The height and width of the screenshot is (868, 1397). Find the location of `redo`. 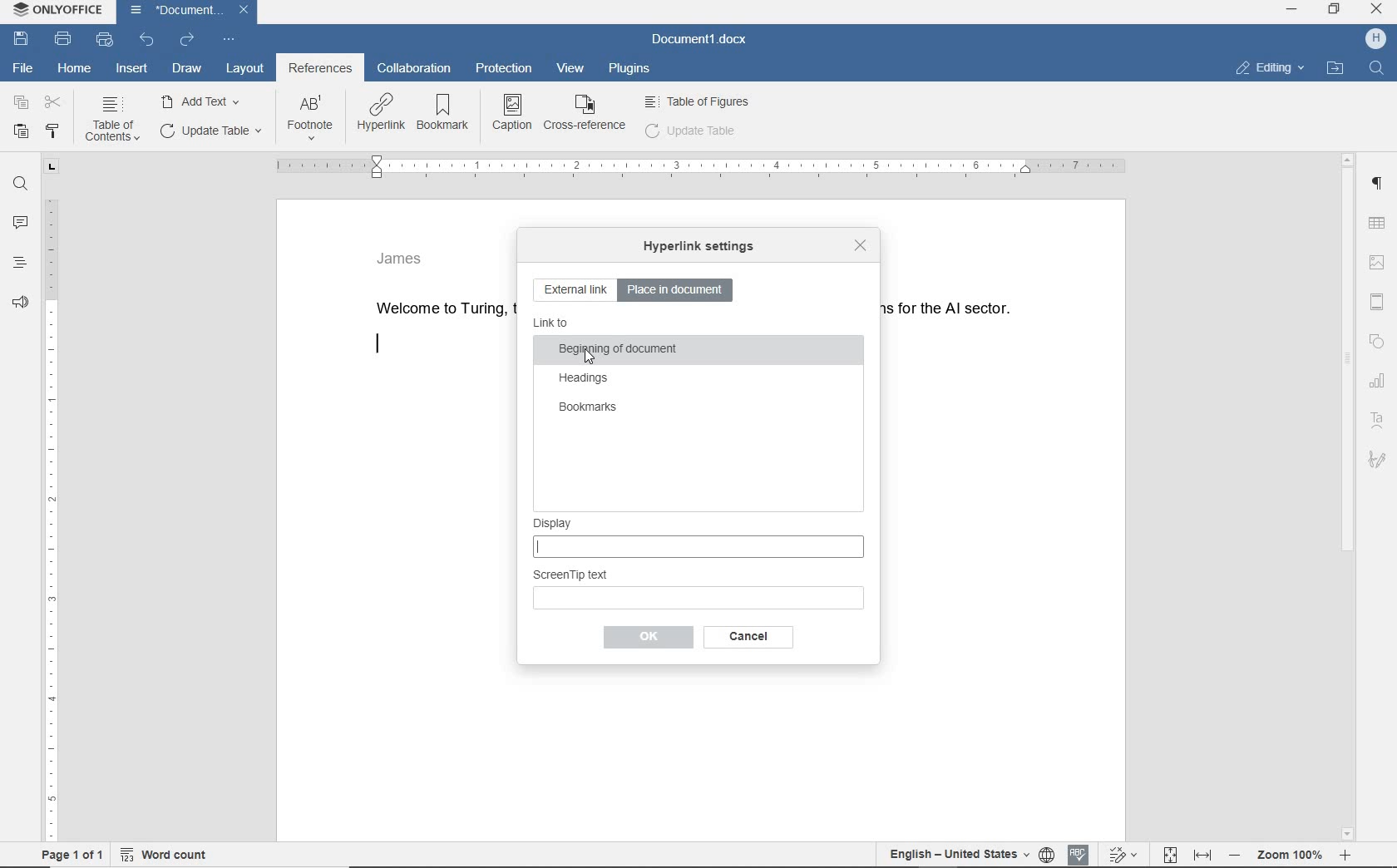

redo is located at coordinates (186, 40).